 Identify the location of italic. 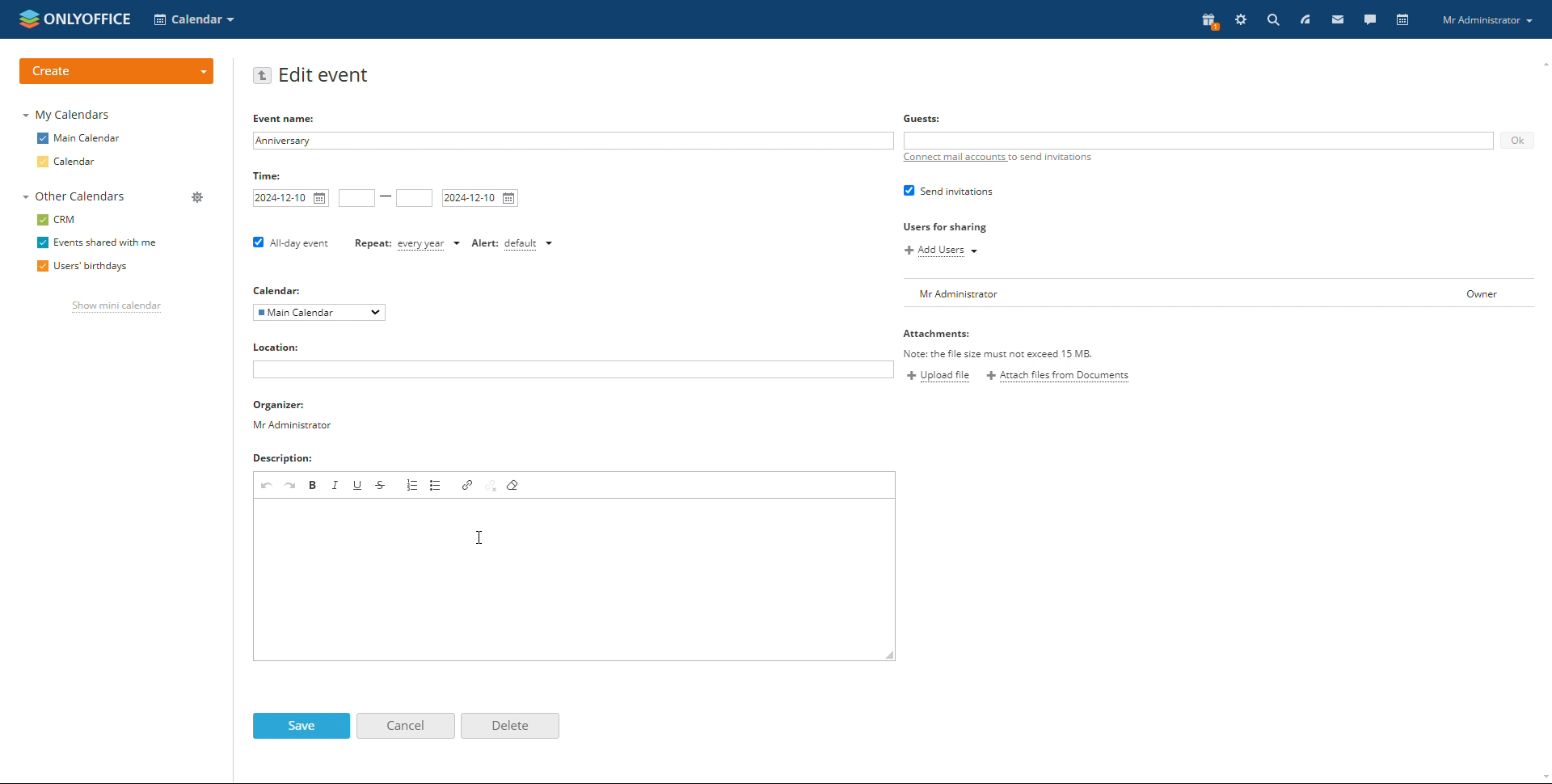
(335, 484).